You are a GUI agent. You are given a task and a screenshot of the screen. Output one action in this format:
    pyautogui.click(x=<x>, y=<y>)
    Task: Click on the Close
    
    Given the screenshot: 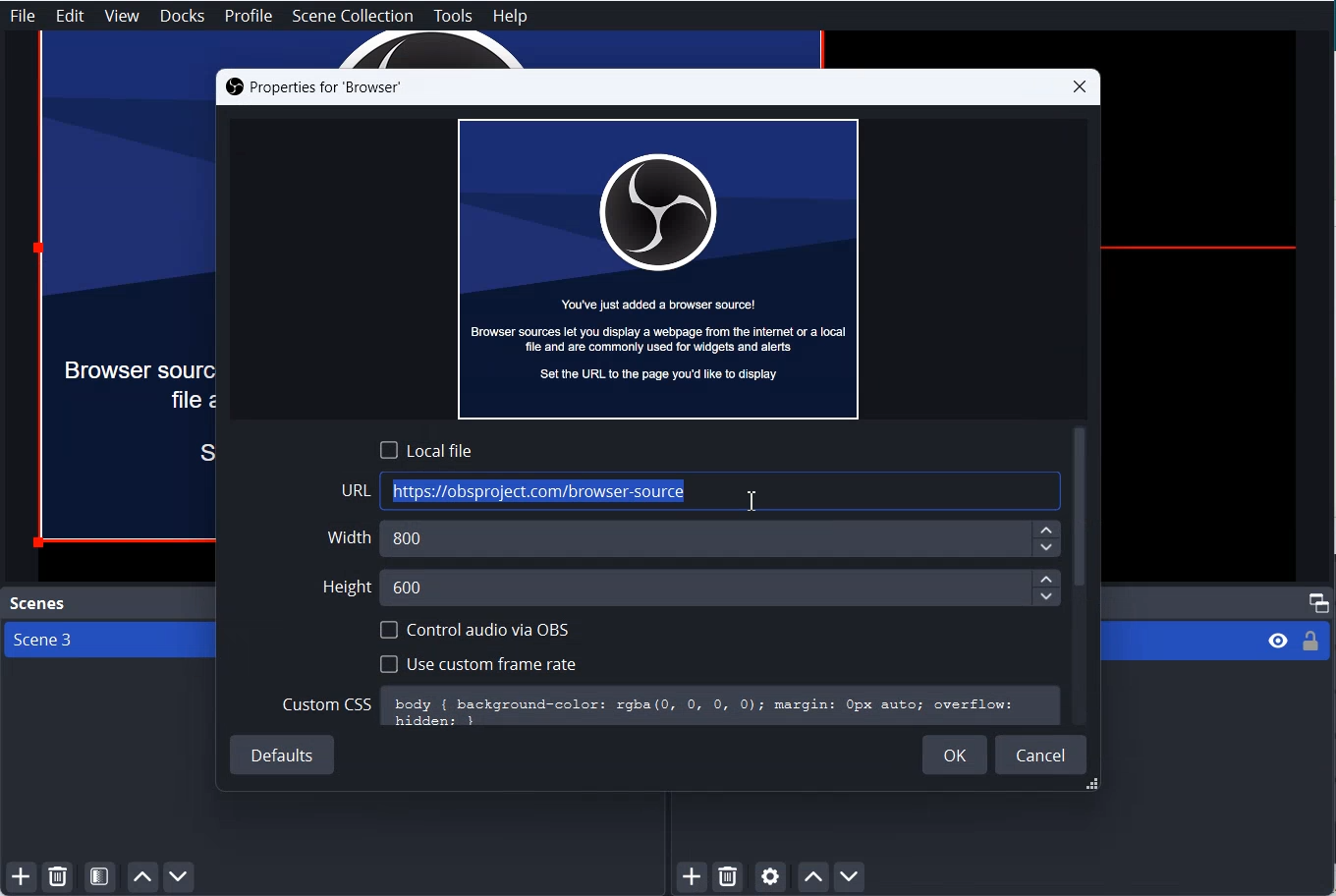 What is the action you would take?
    pyautogui.click(x=1080, y=86)
    